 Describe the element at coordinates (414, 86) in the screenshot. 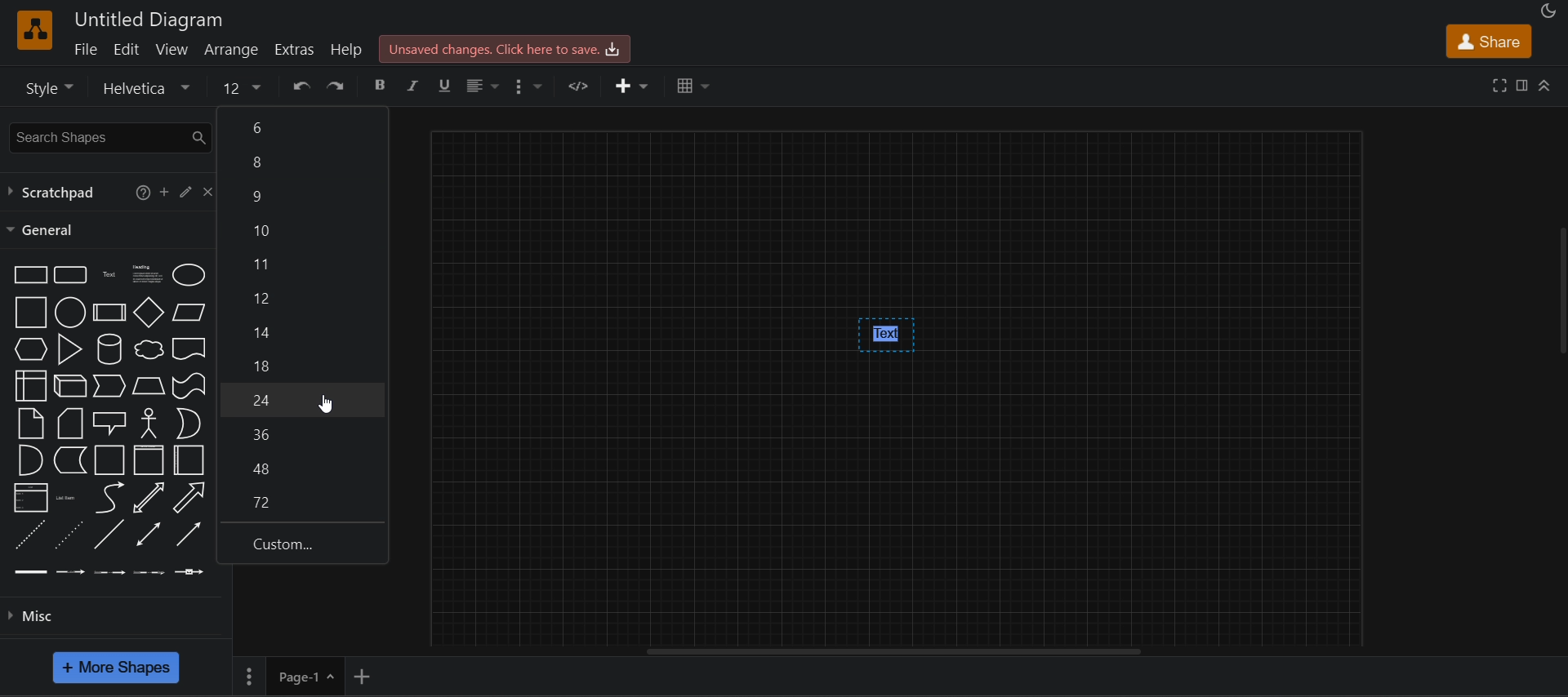

I see `italic` at that location.